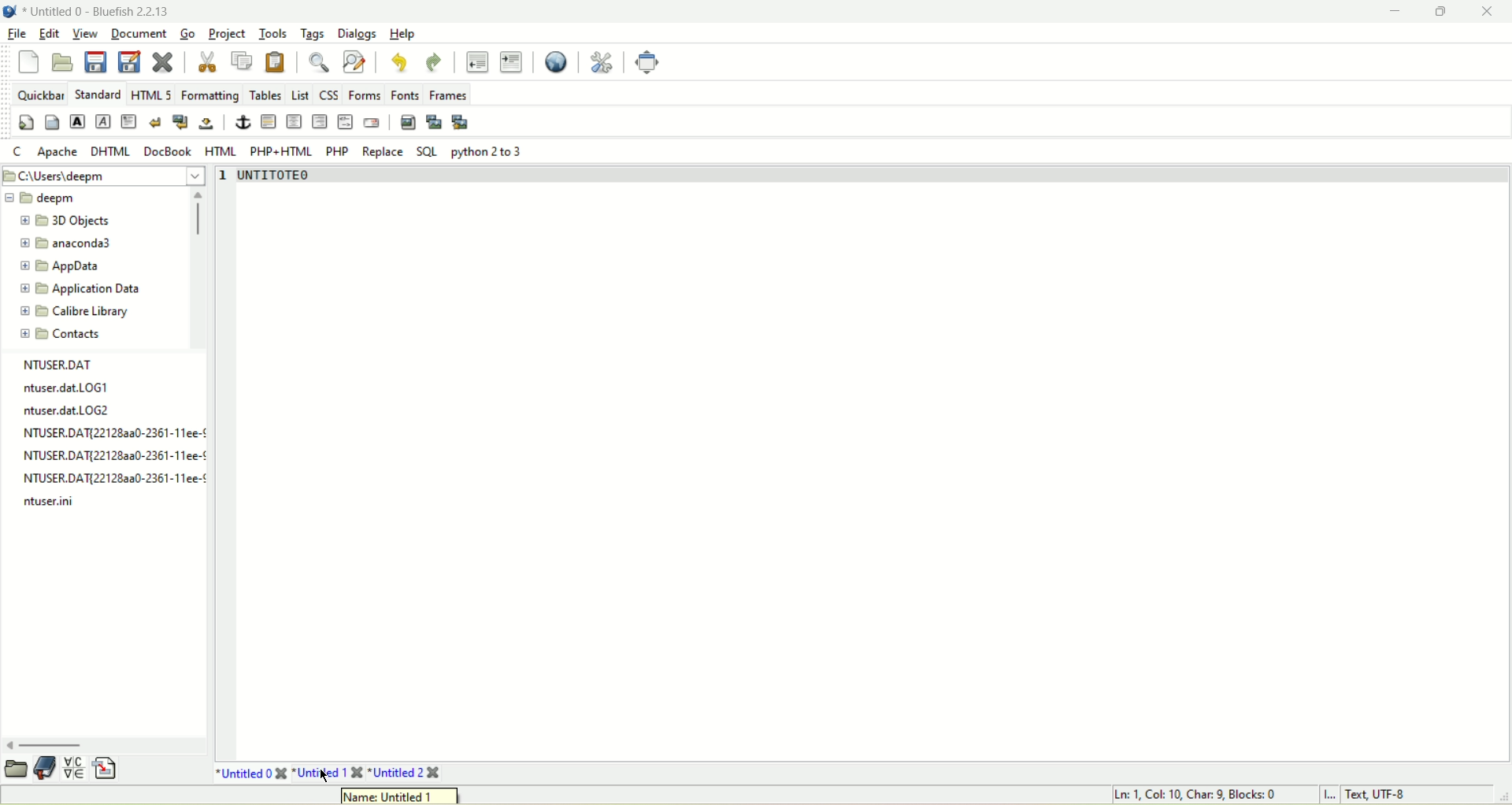  Describe the element at coordinates (104, 9) in the screenshot. I see `title ` at that location.